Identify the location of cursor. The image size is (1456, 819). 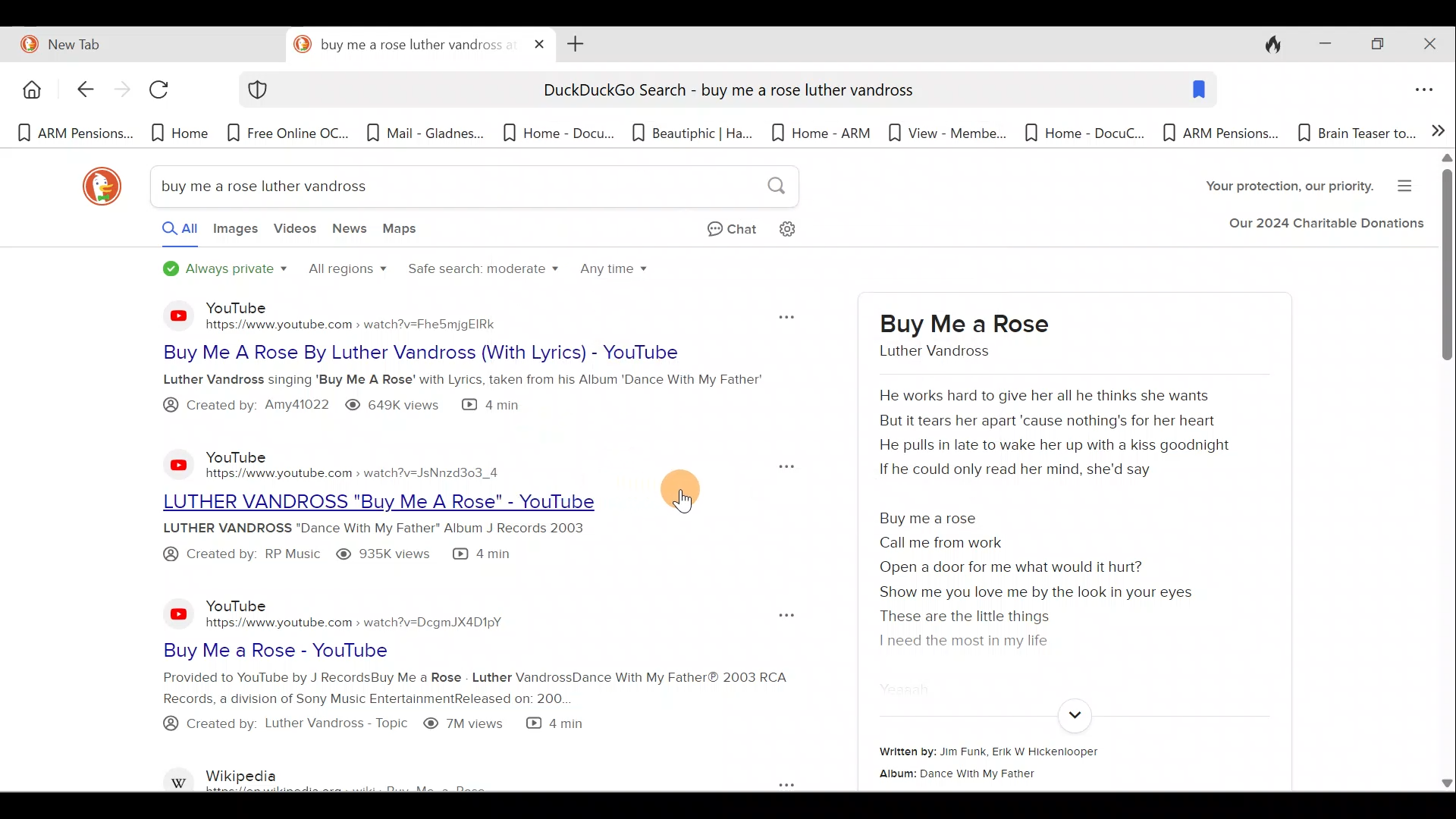
(690, 496).